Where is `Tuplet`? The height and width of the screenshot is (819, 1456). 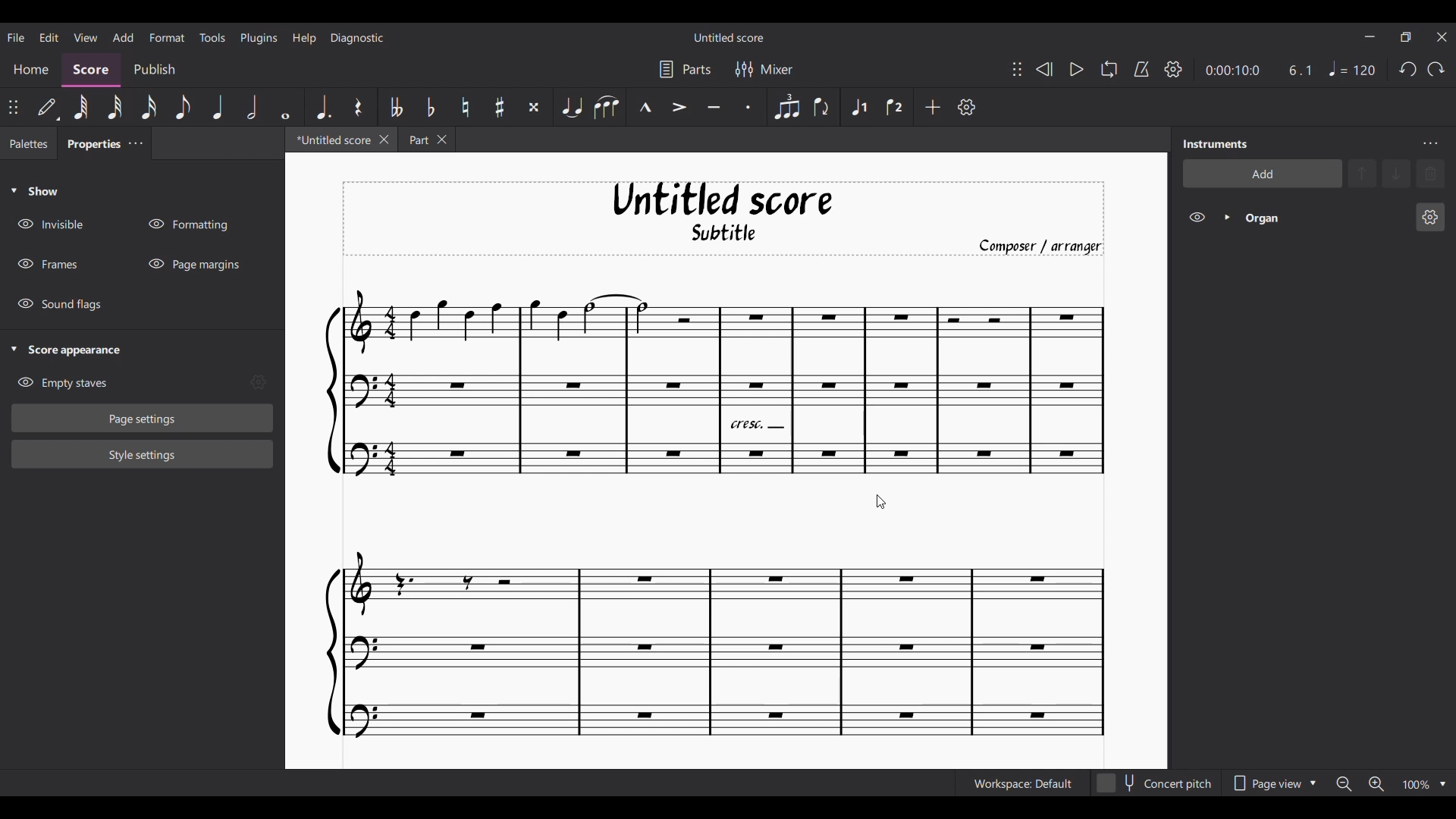
Tuplet is located at coordinates (785, 107).